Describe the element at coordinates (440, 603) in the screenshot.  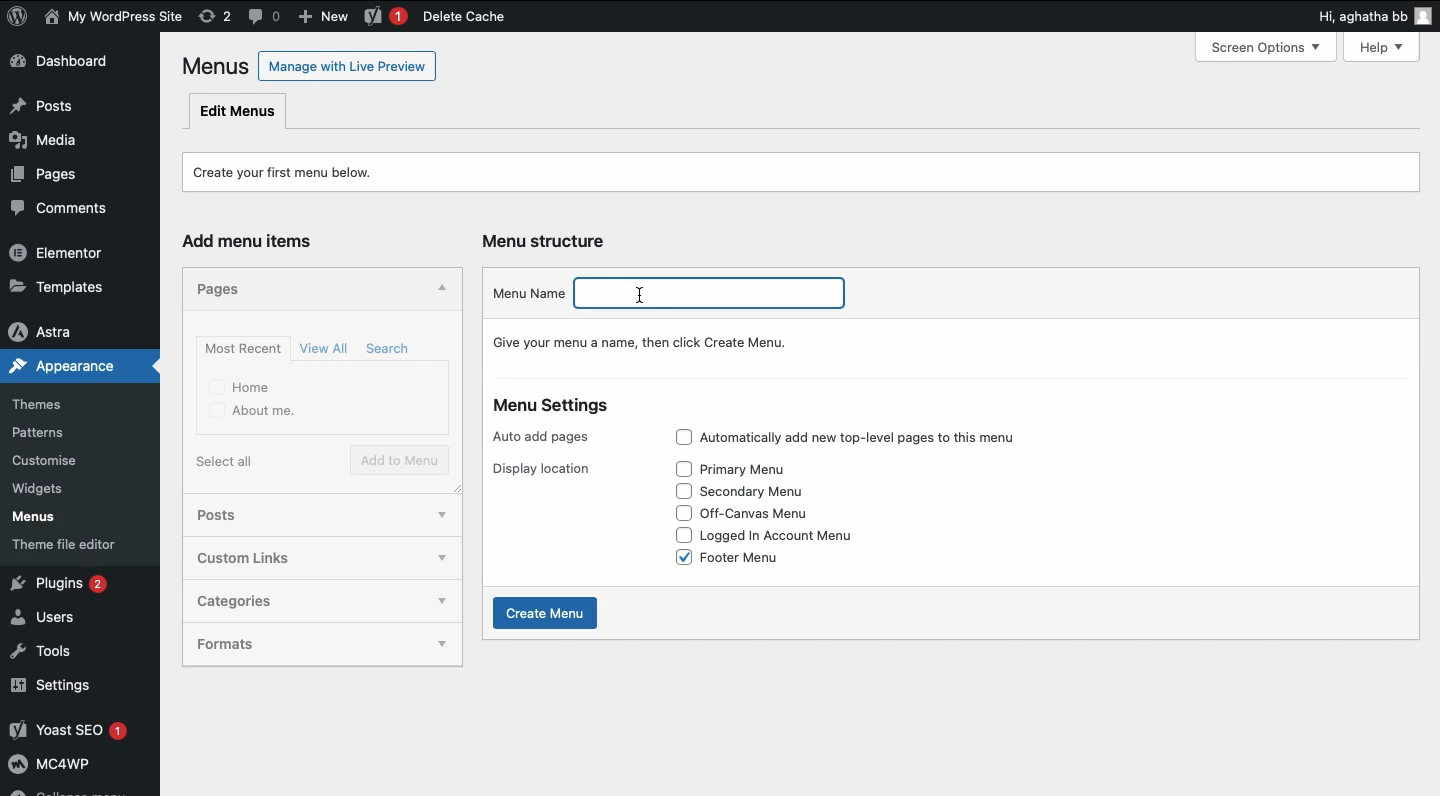
I see `show` at that location.